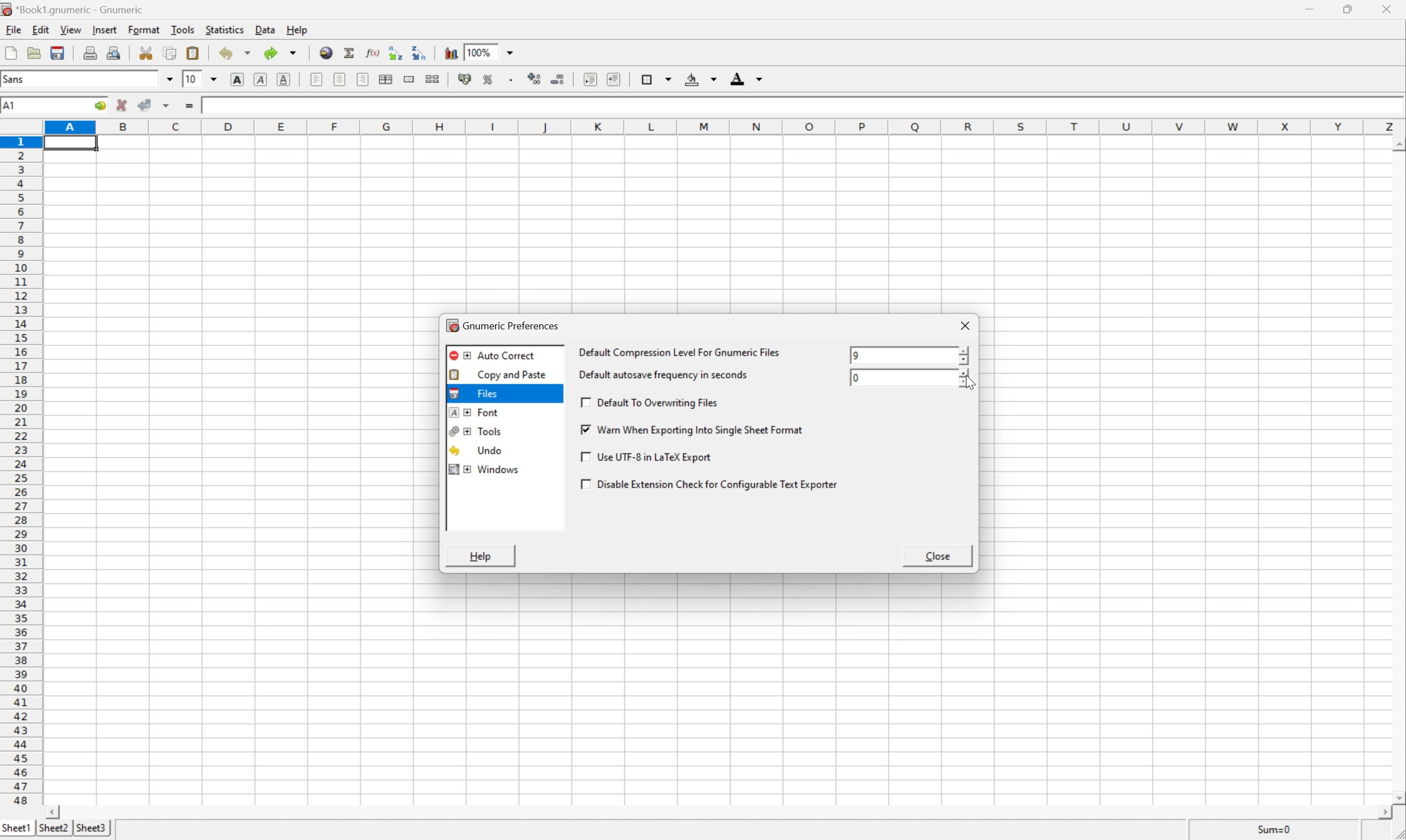 Image resolution: width=1406 pixels, height=840 pixels. What do you see at coordinates (91, 831) in the screenshot?
I see `sheet3` at bounding box center [91, 831].